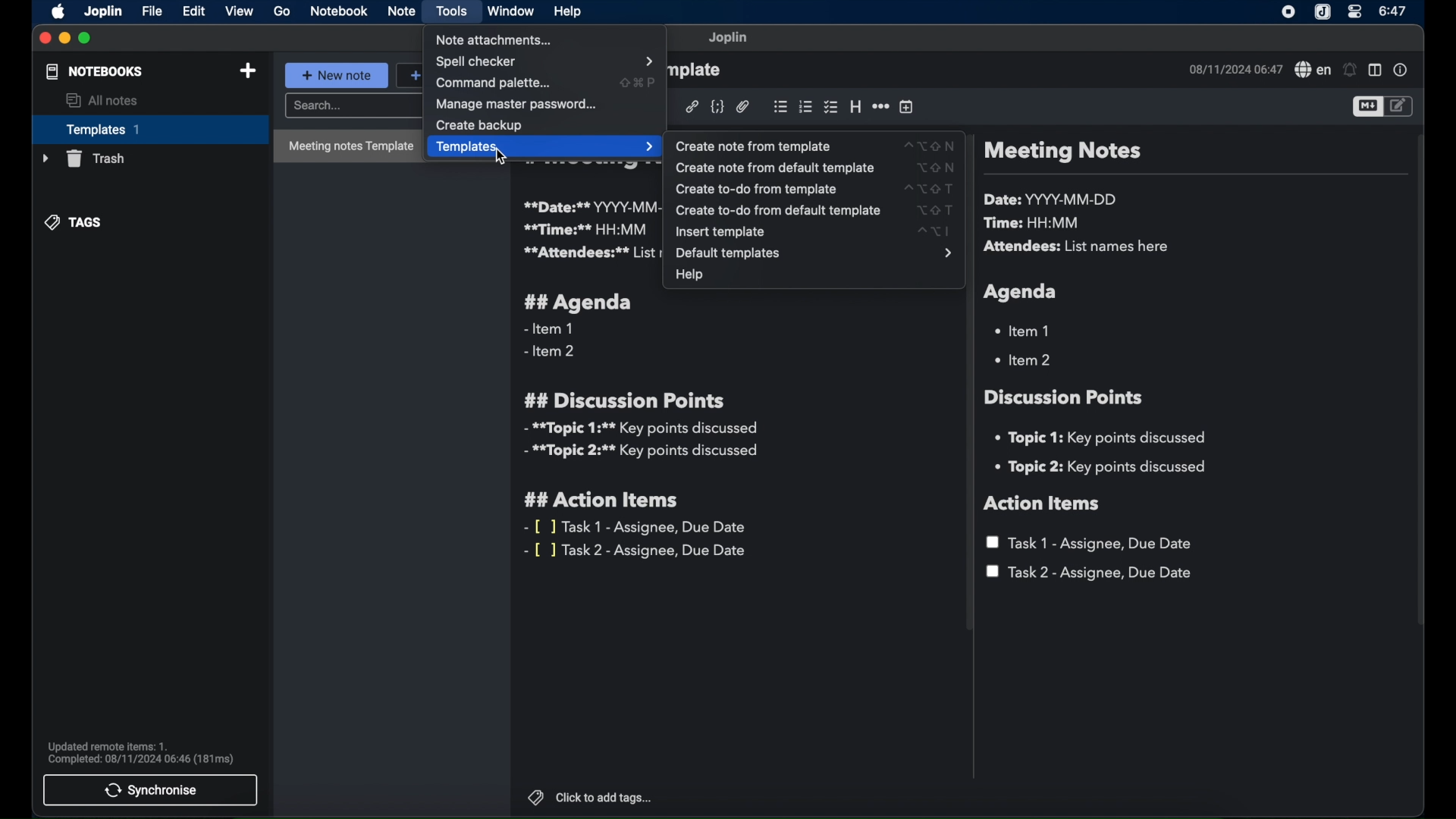 This screenshot has width=1456, height=819. What do you see at coordinates (451, 11) in the screenshot?
I see `tools` at bounding box center [451, 11].